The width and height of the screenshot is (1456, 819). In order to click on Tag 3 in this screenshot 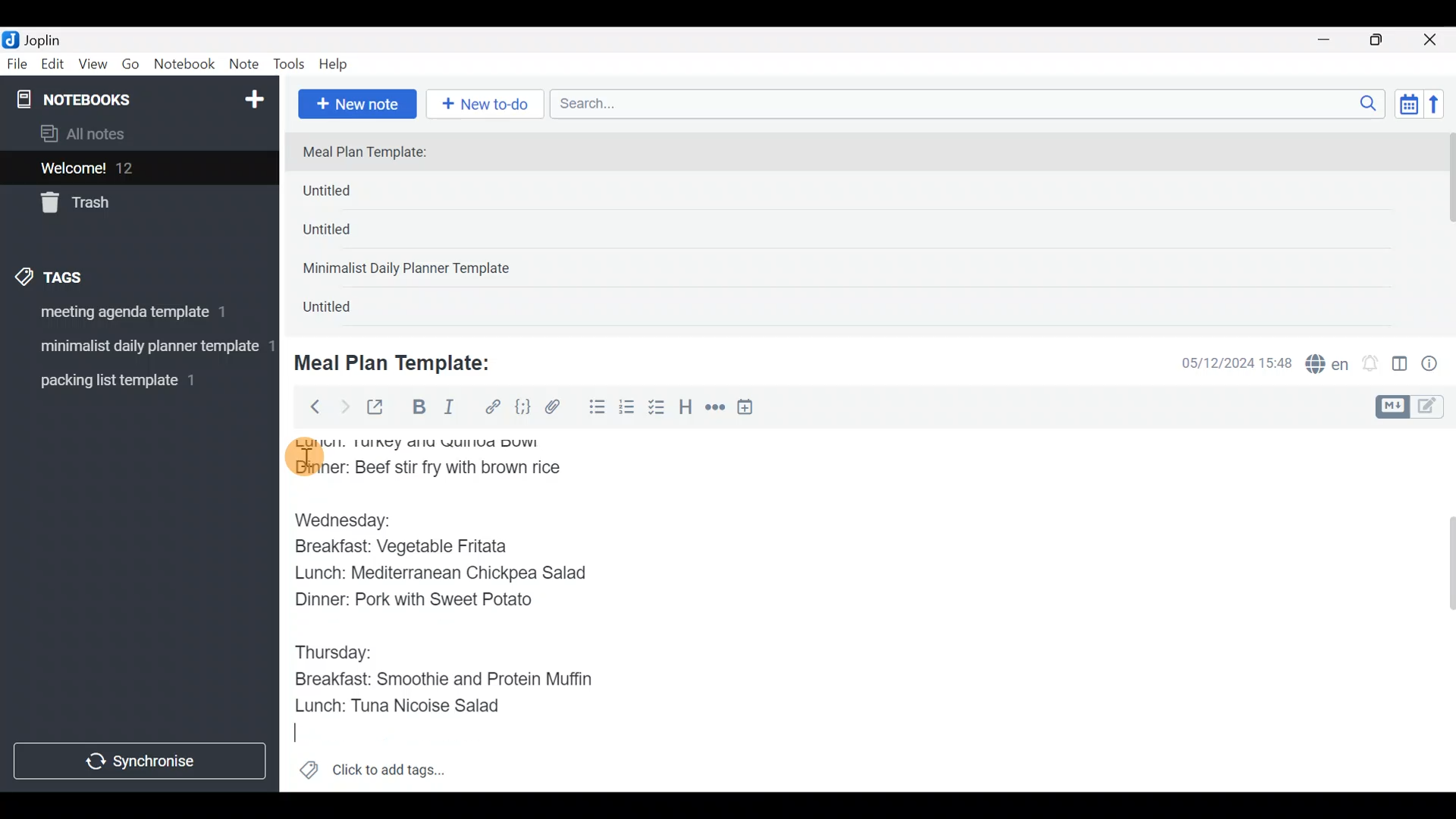, I will do `click(134, 380)`.